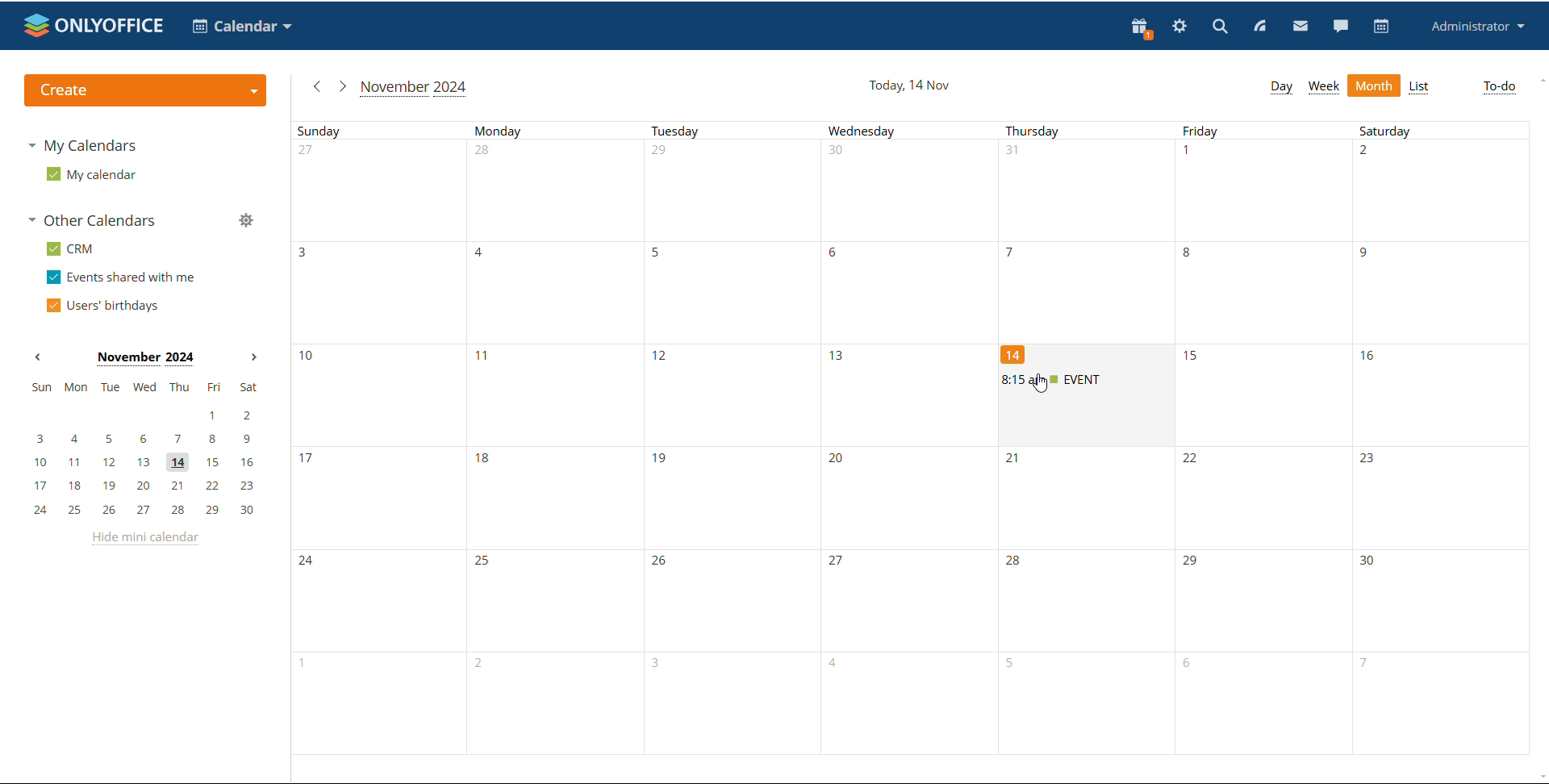  Describe the element at coordinates (315, 87) in the screenshot. I see `previous month` at that location.